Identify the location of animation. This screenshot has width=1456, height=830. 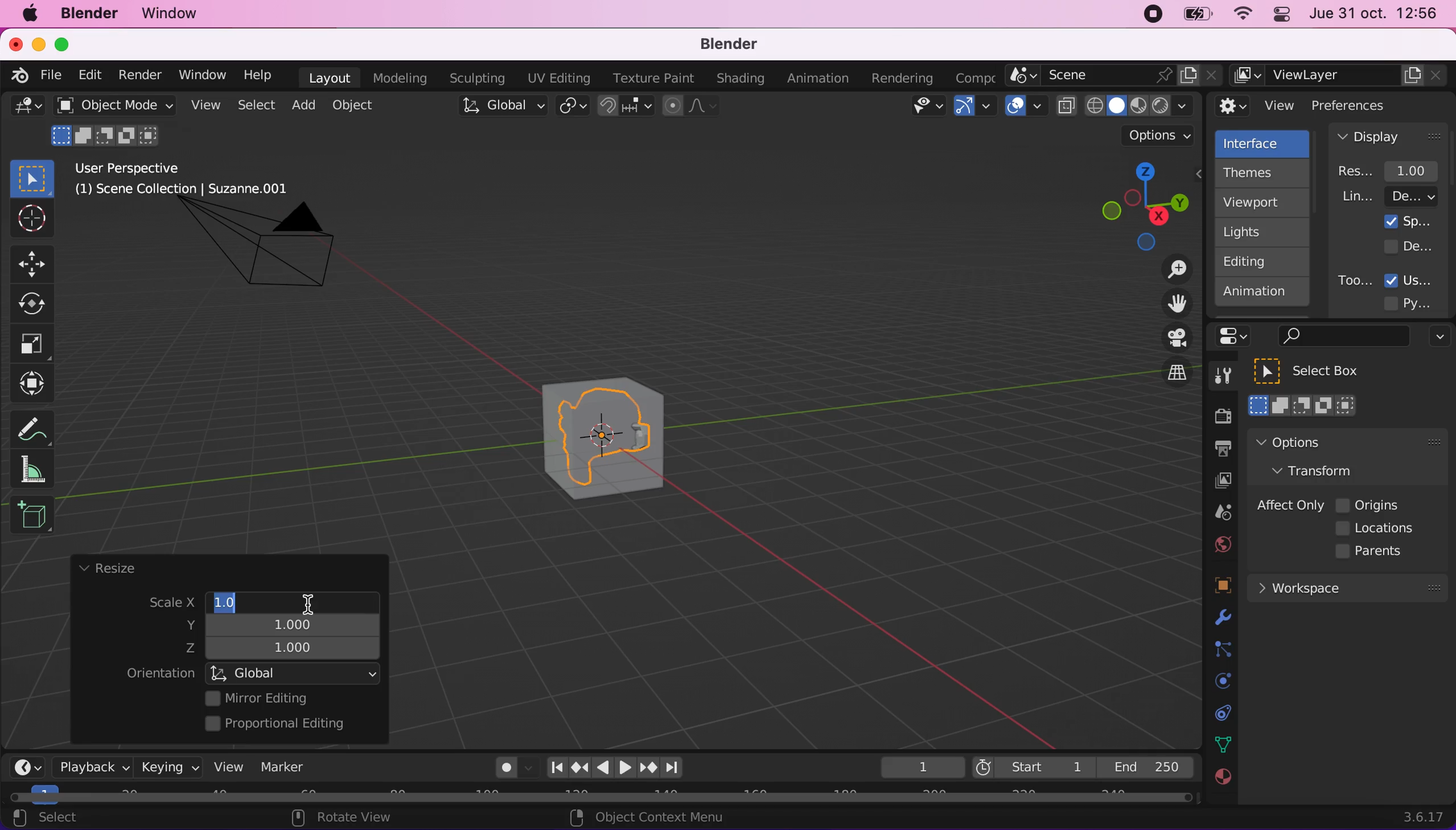
(1263, 295).